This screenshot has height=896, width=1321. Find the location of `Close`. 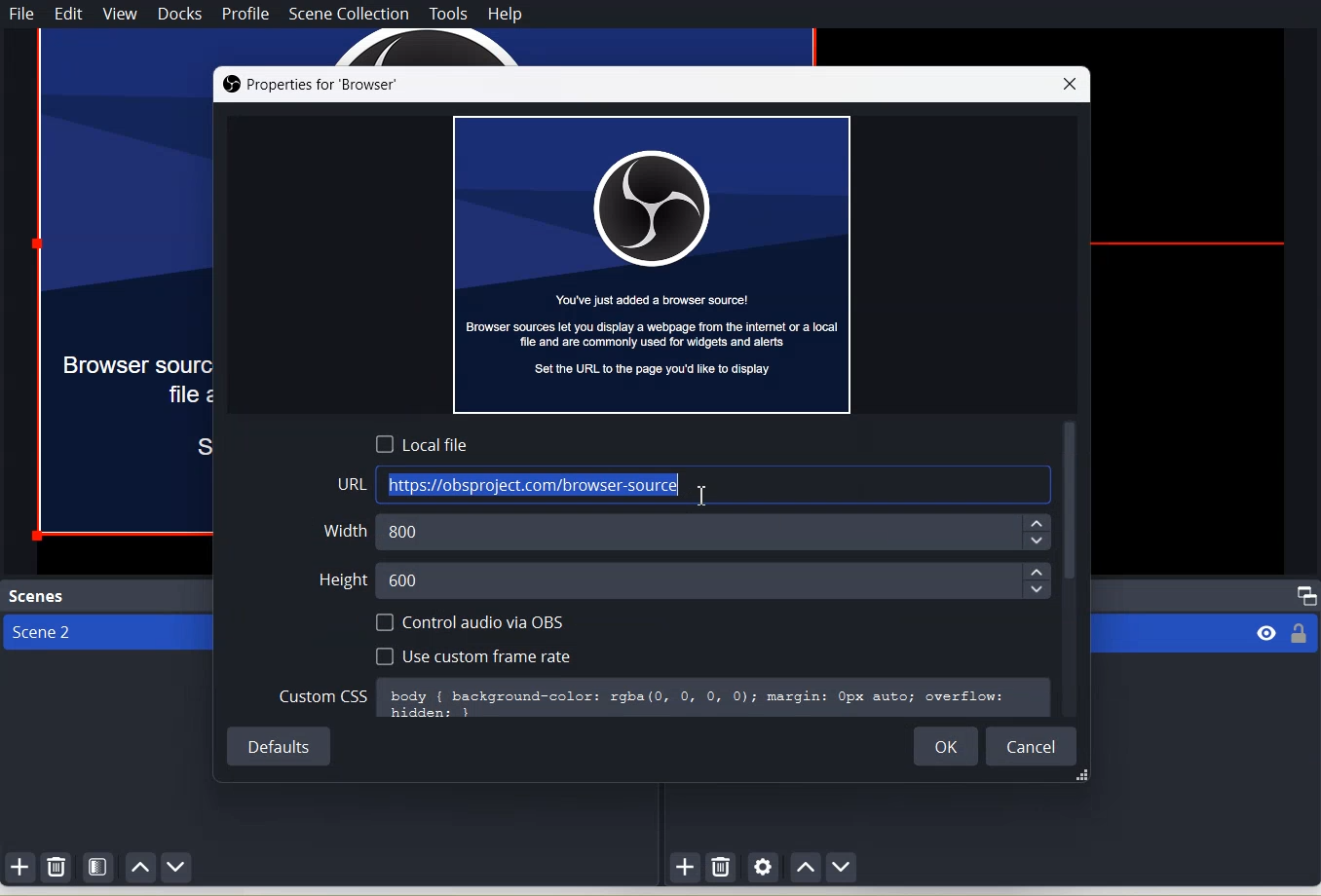

Close is located at coordinates (1074, 83).